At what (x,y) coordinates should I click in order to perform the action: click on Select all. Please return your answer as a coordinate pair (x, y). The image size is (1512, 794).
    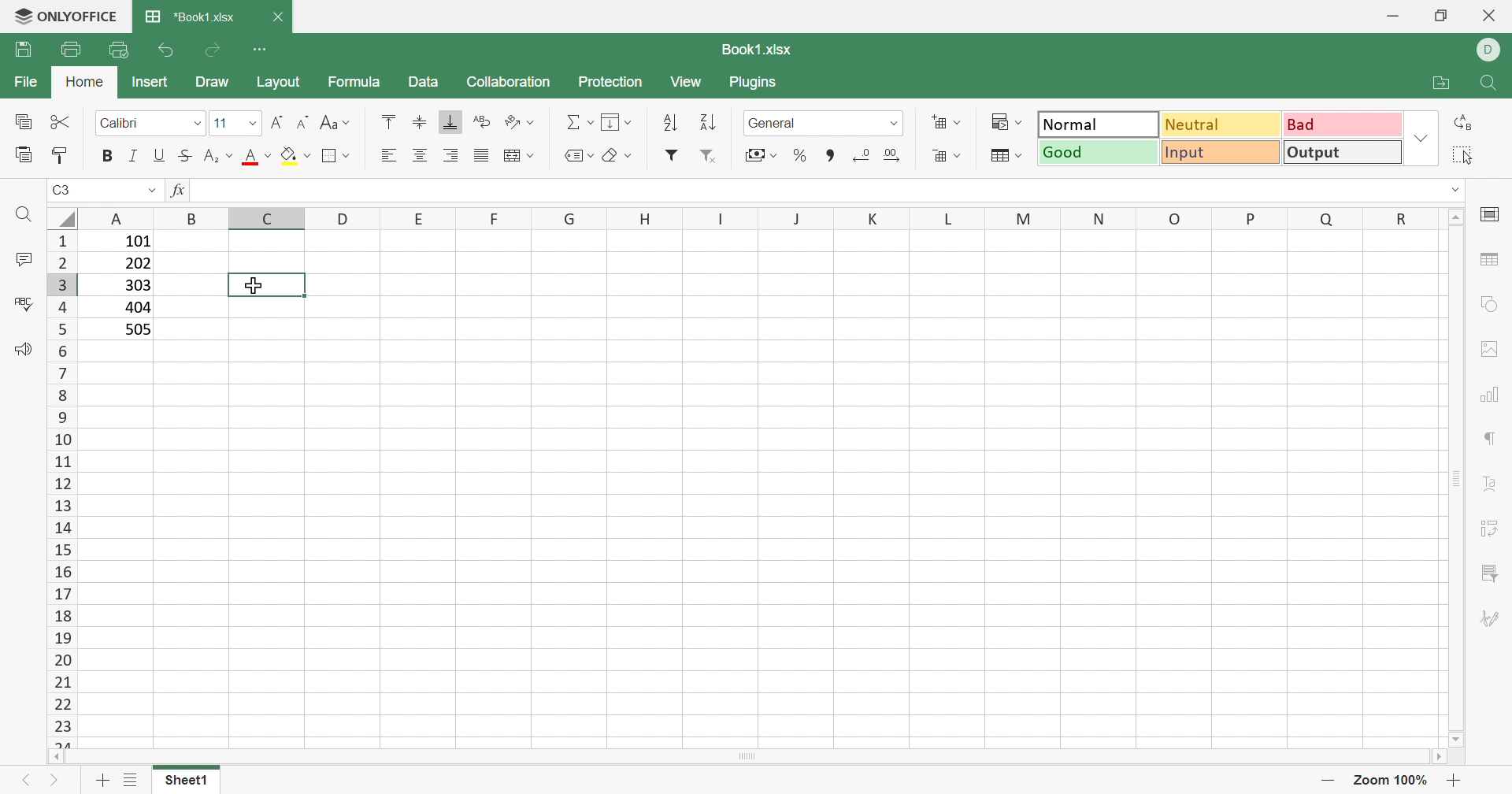
    Looking at the image, I should click on (1466, 155).